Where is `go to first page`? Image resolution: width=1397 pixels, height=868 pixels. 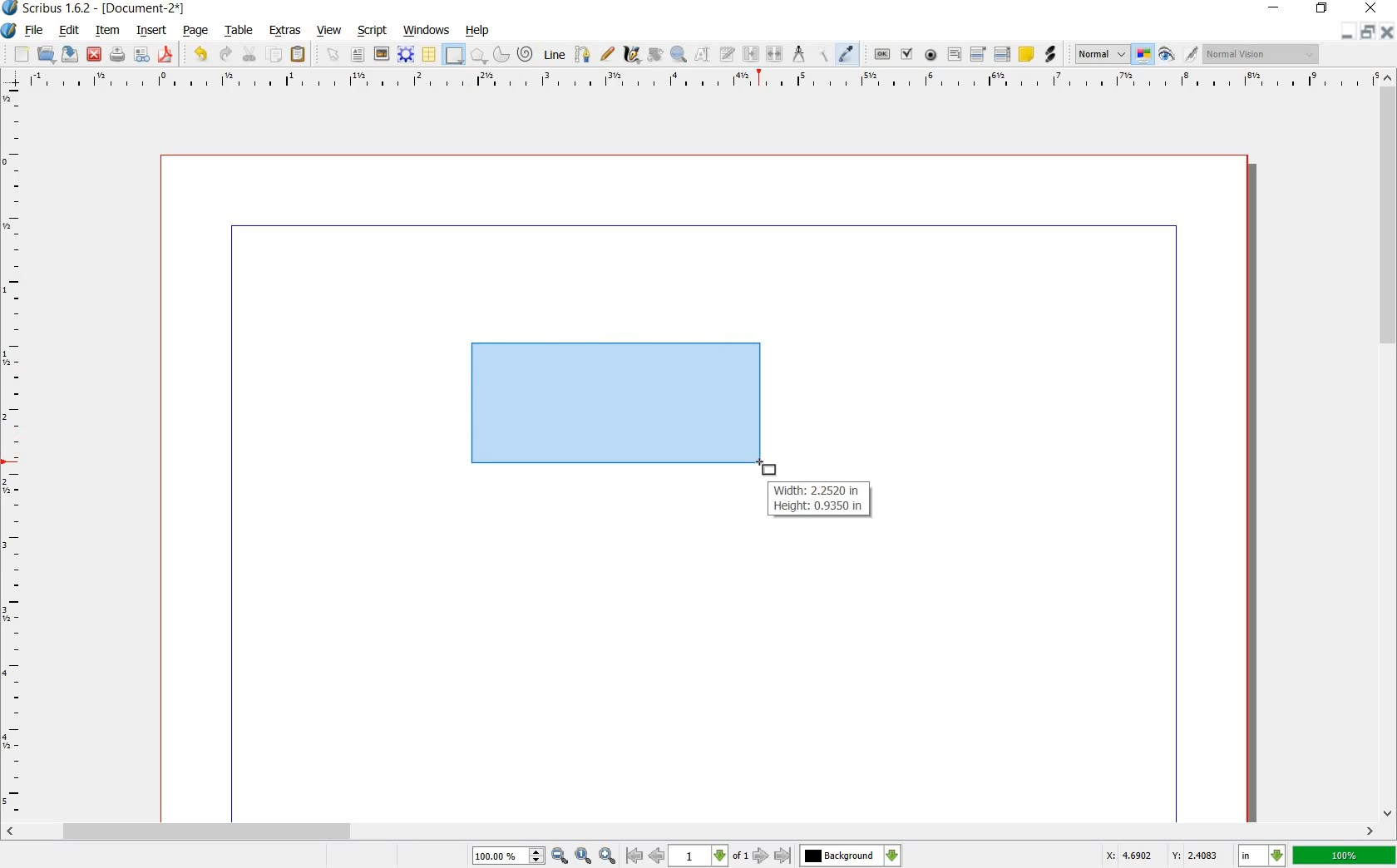
go to first page is located at coordinates (634, 856).